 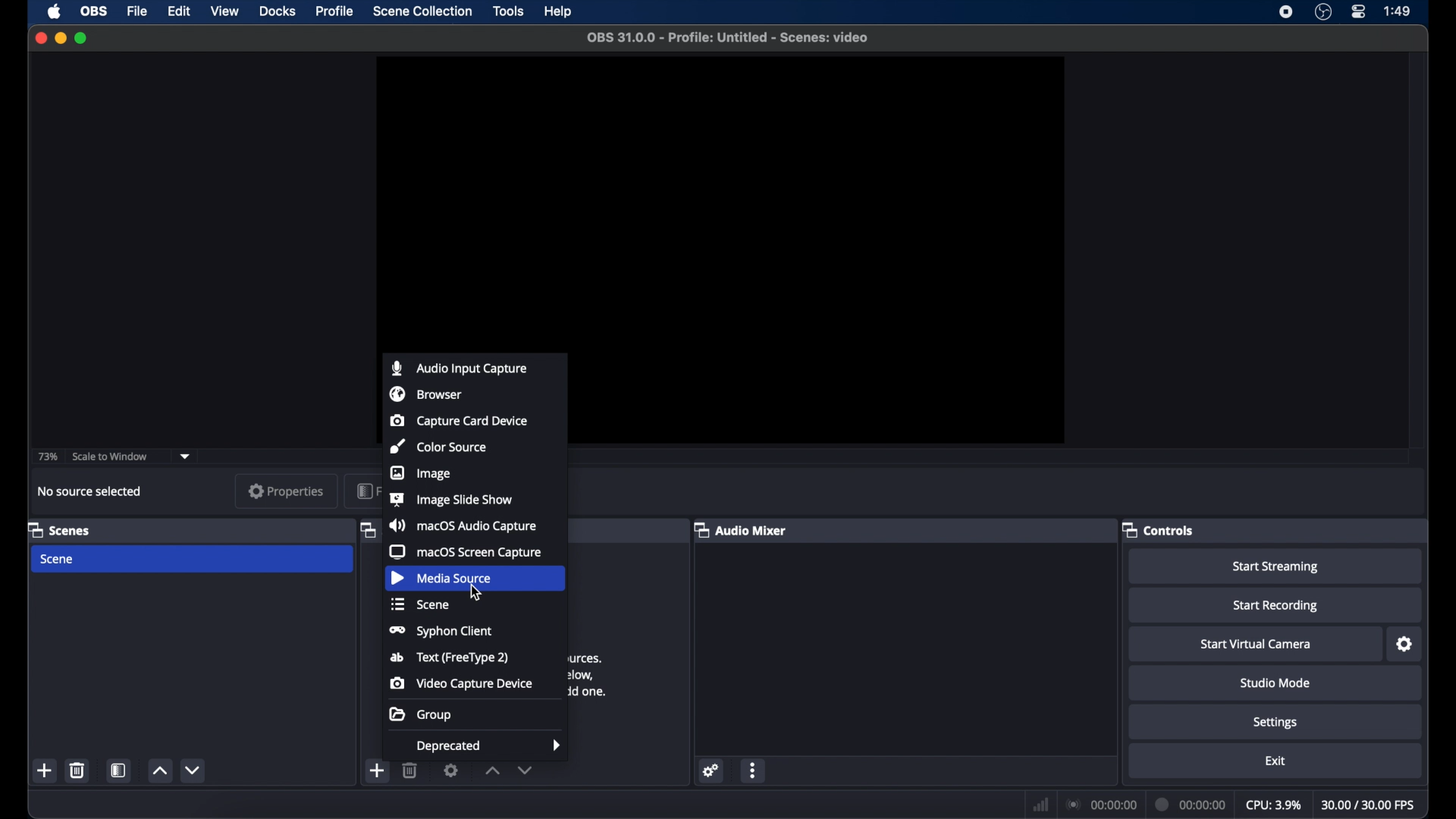 I want to click on duration, so click(x=1192, y=803).